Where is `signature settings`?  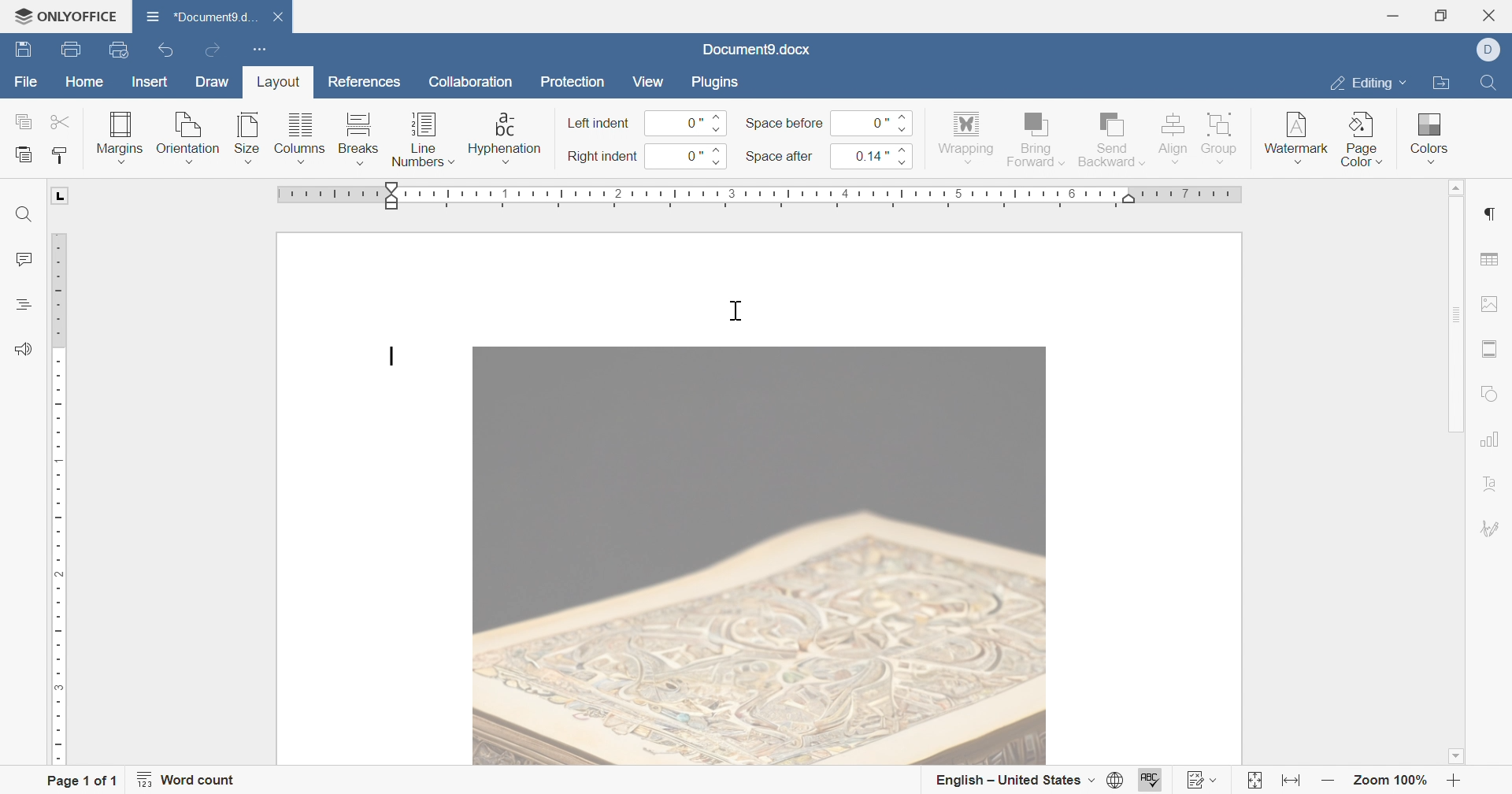
signature settings is located at coordinates (1492, 529).